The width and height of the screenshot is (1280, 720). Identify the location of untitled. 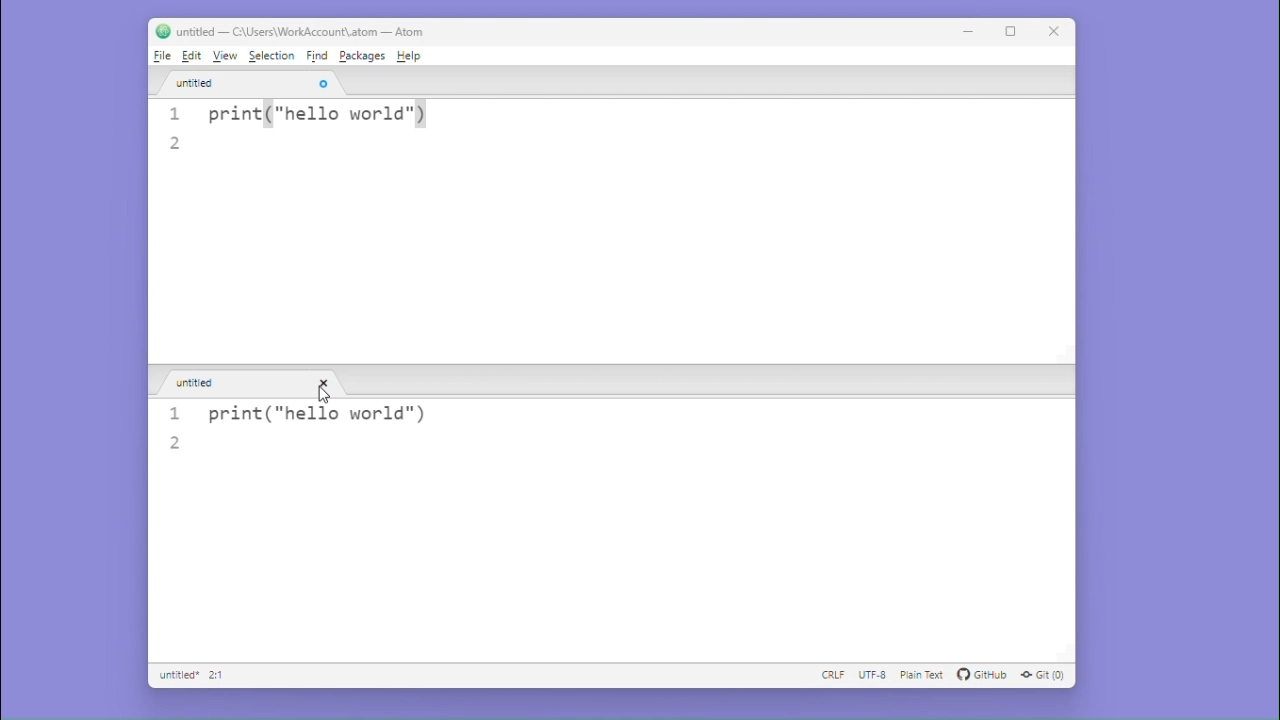
(256, 83).